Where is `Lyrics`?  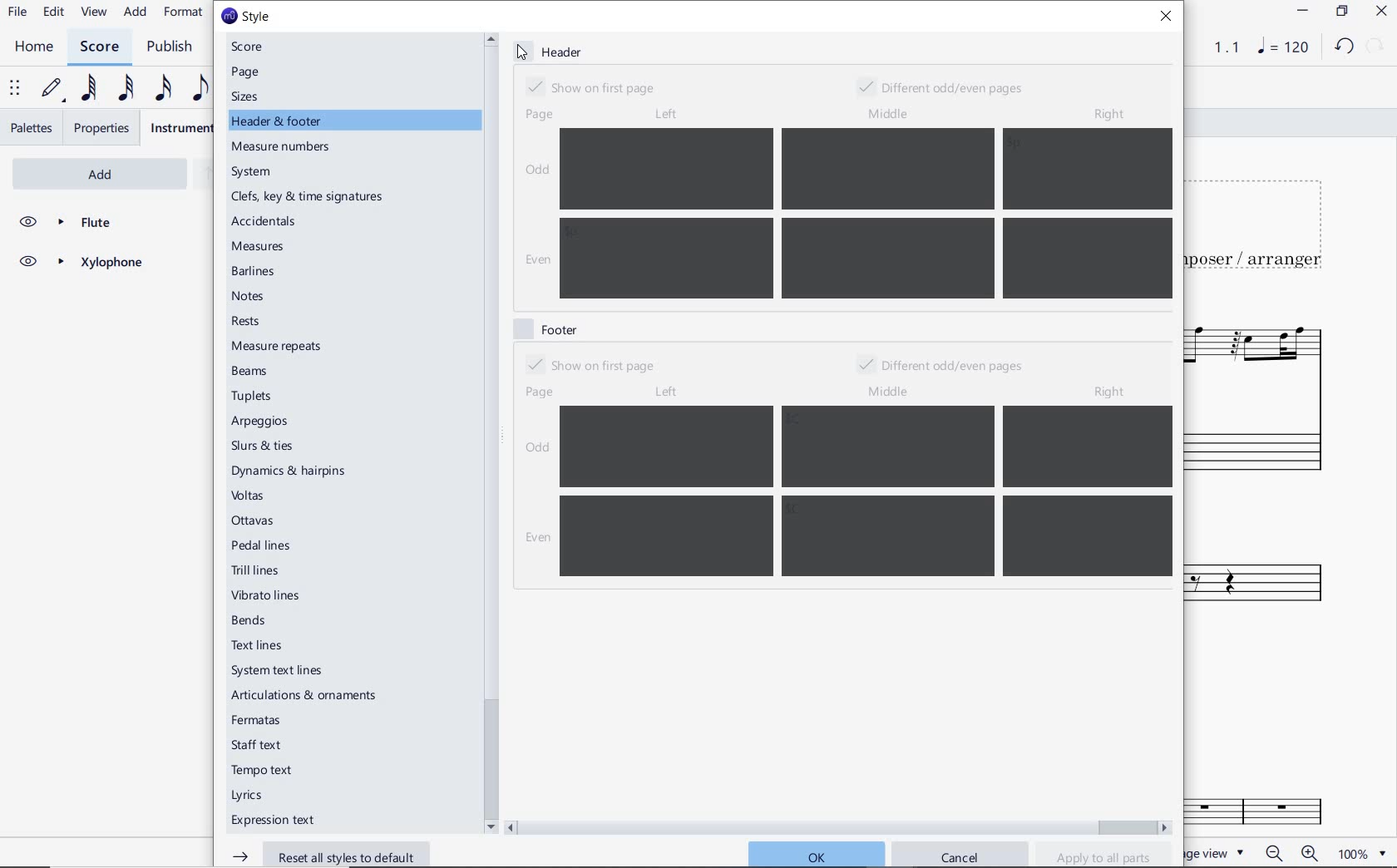
Lyrics is located at coordinates (251, 796).